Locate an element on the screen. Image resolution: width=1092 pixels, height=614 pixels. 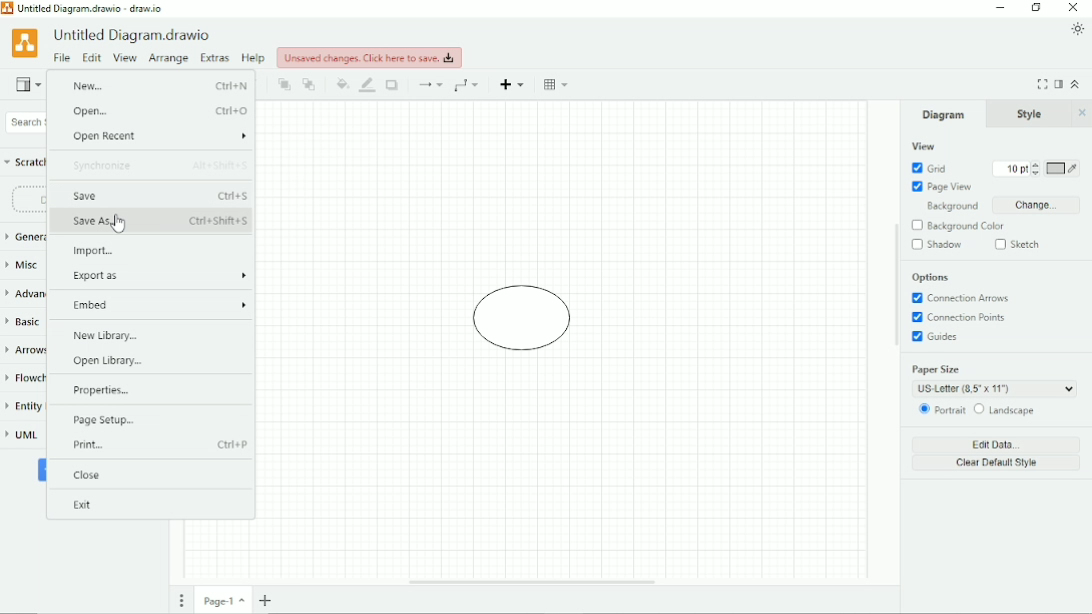
Connection Arrows is located at coordinates (960, 297).